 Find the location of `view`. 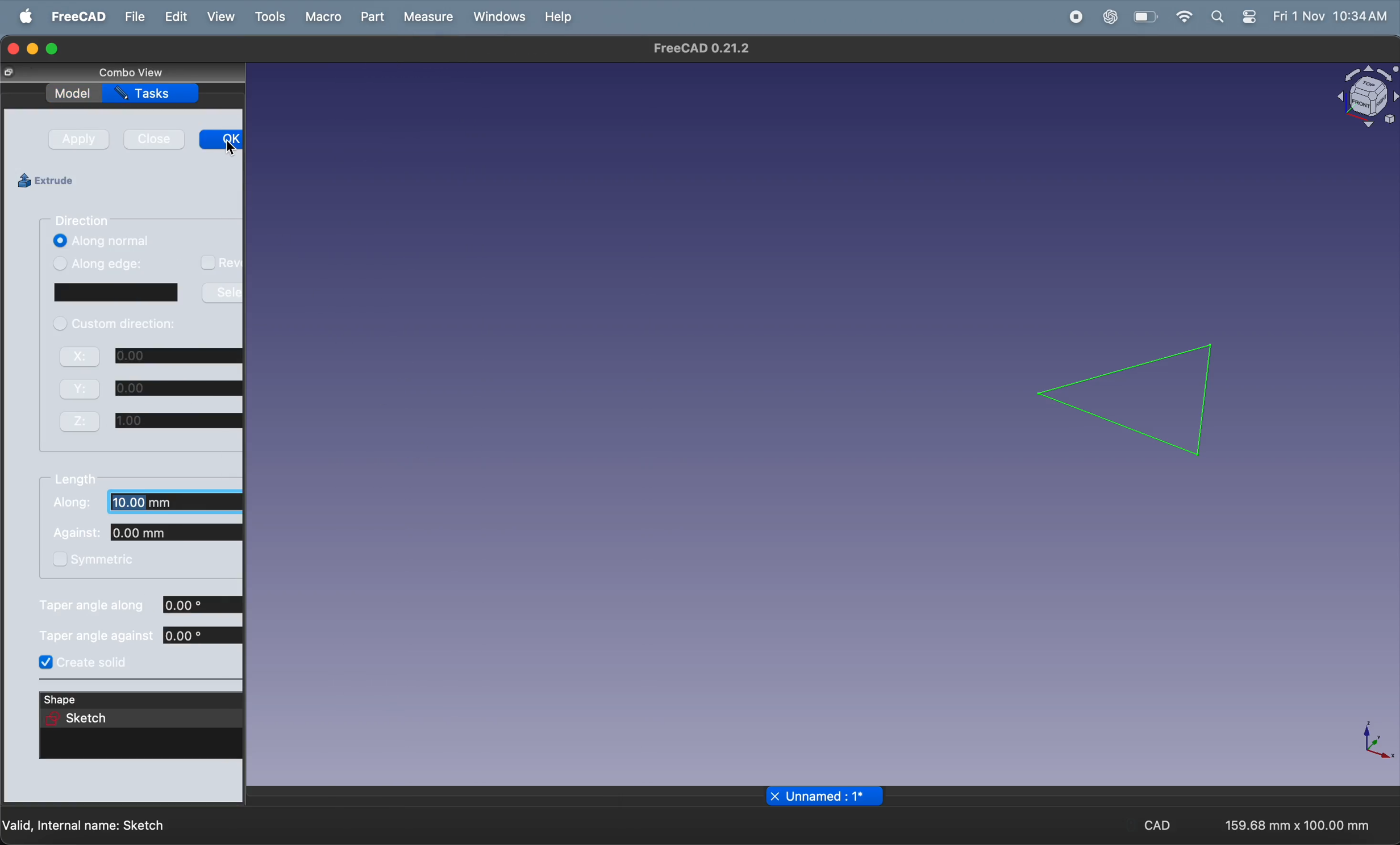

view is located at coordinates (223, 16).